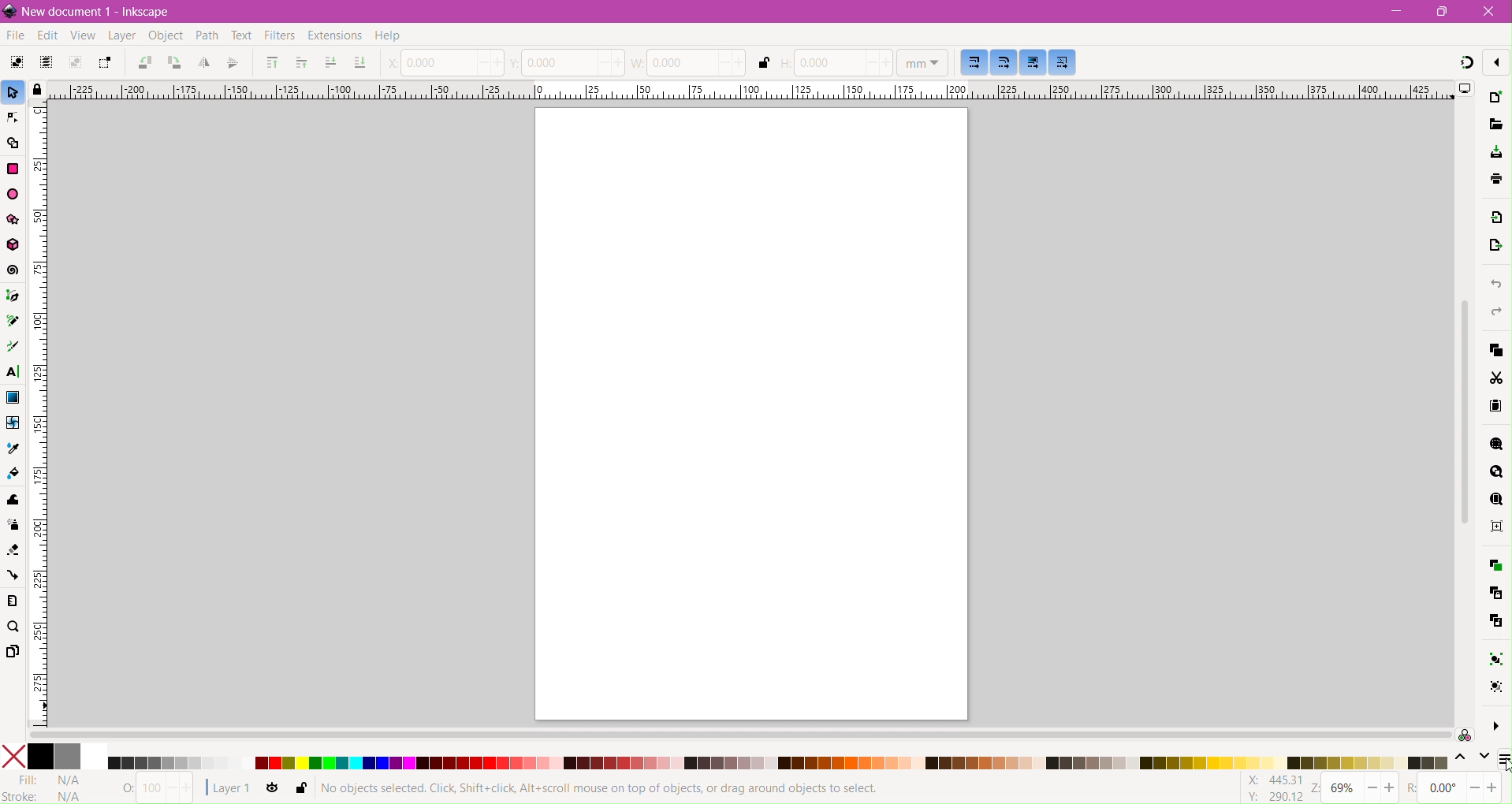 The height and width of the screenshot is (804, 1512). Describe the element at coordinates (443, 61) in the screenshot. I see `Set the position of X coordinate of the cursor` at that location.